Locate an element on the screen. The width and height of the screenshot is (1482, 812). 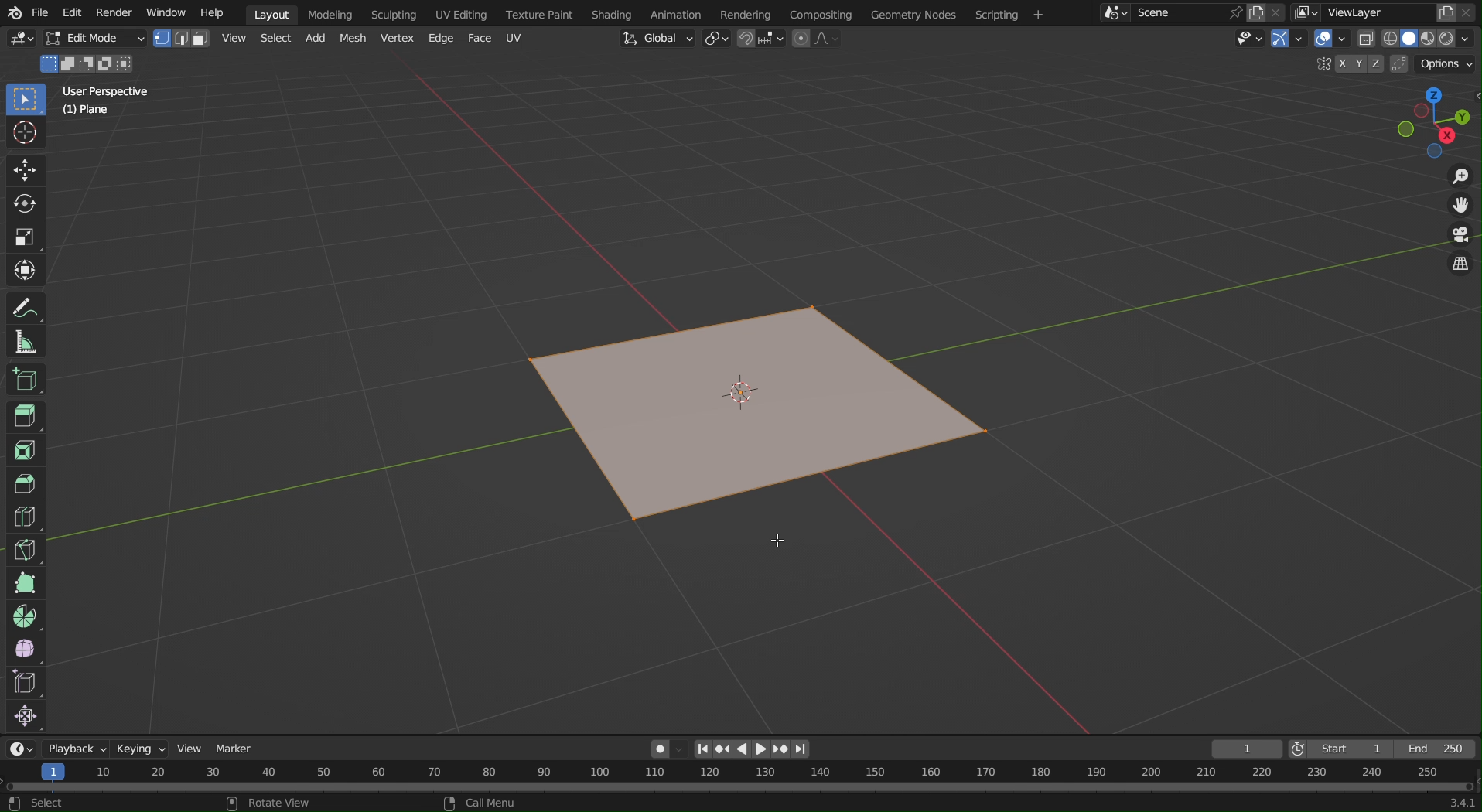
Face is located at coordinates (480, 39).